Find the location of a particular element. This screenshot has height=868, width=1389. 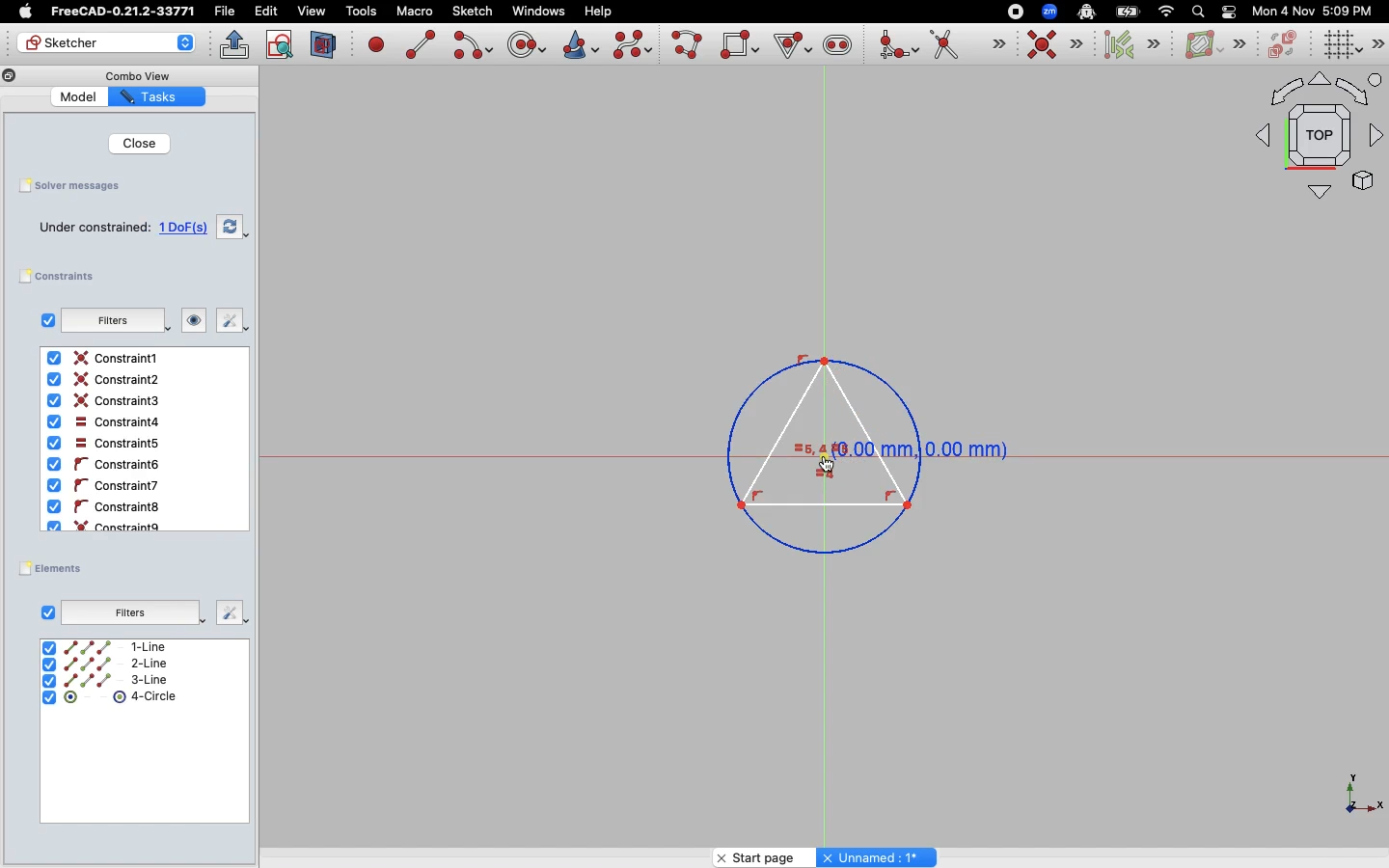

Cursor is located at coordinates (828, 465).